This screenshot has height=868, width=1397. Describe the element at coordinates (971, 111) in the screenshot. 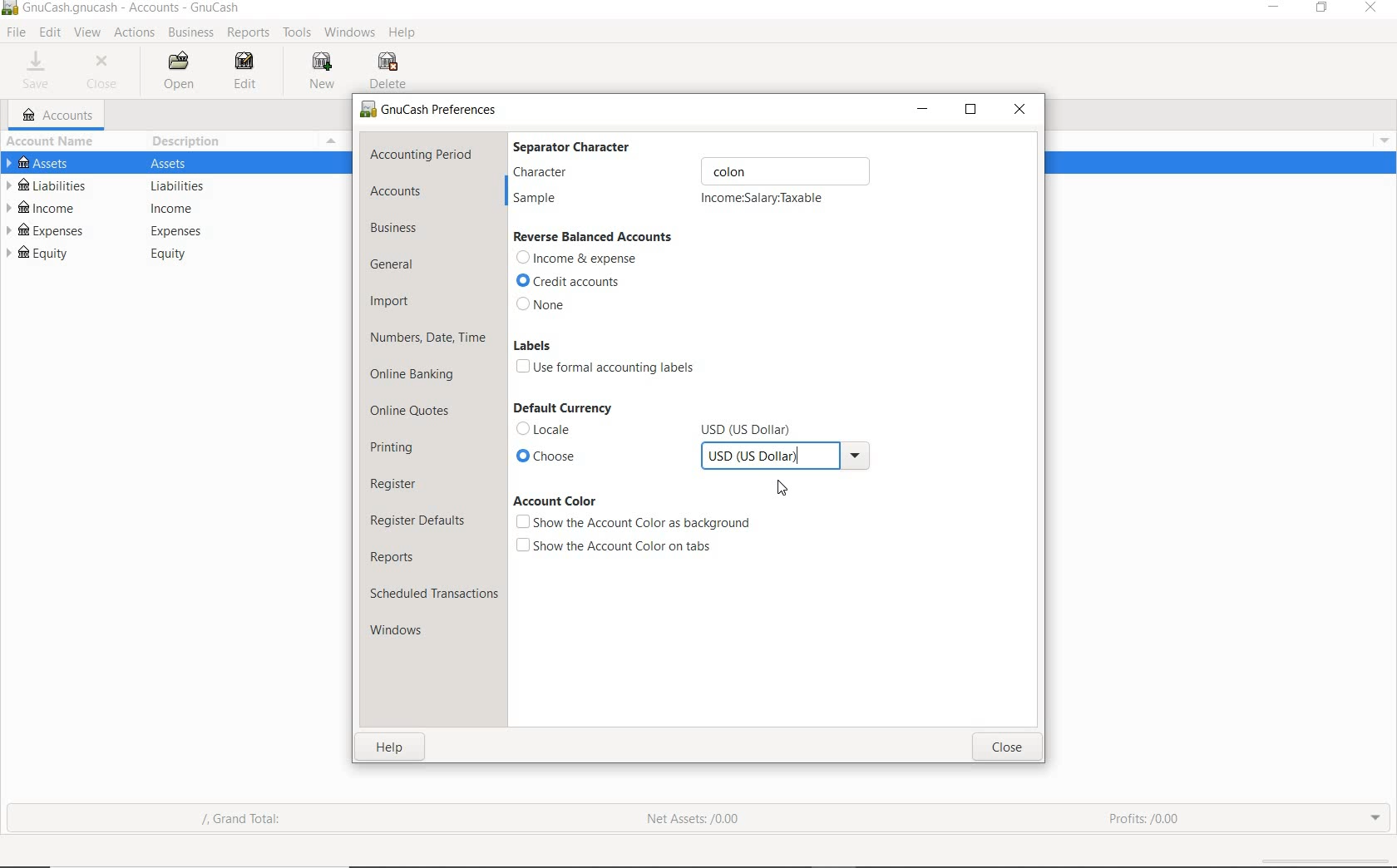

I see `restore down` at that location.